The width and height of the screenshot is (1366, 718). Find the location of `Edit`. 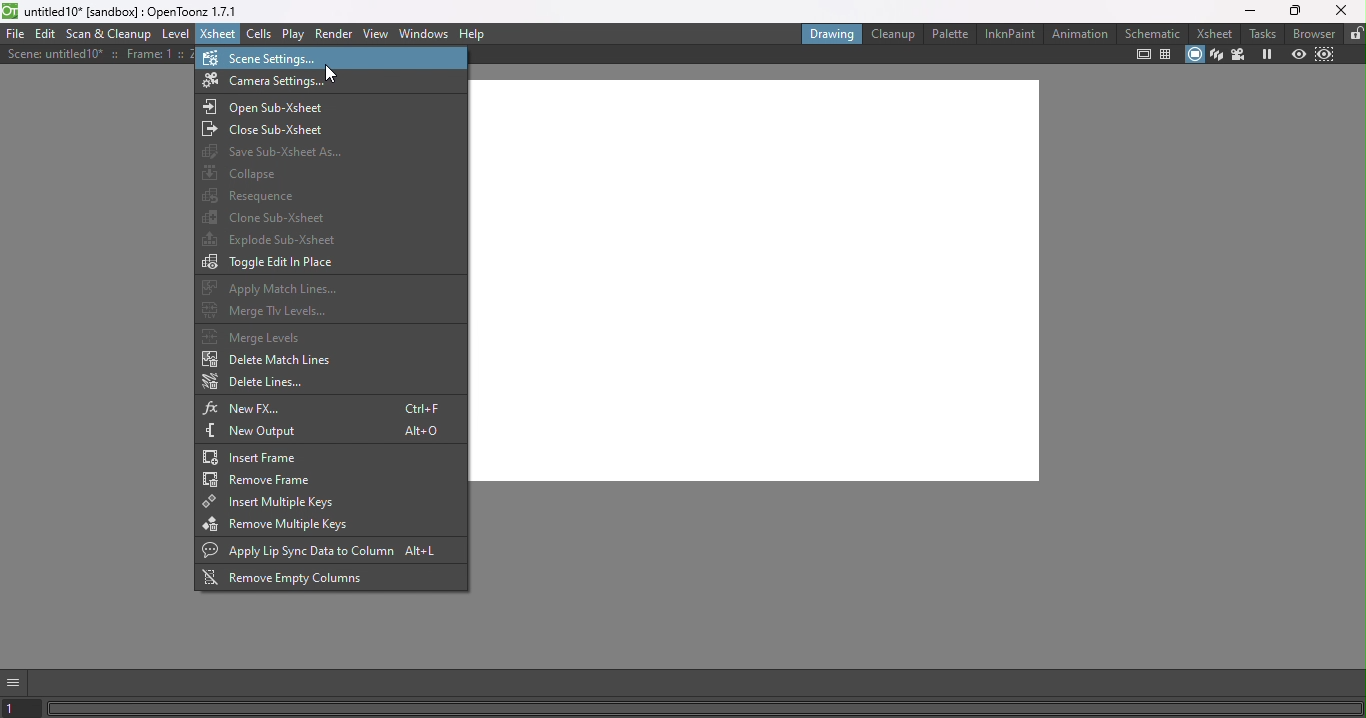

Edit is located at coordinates (48, 35).